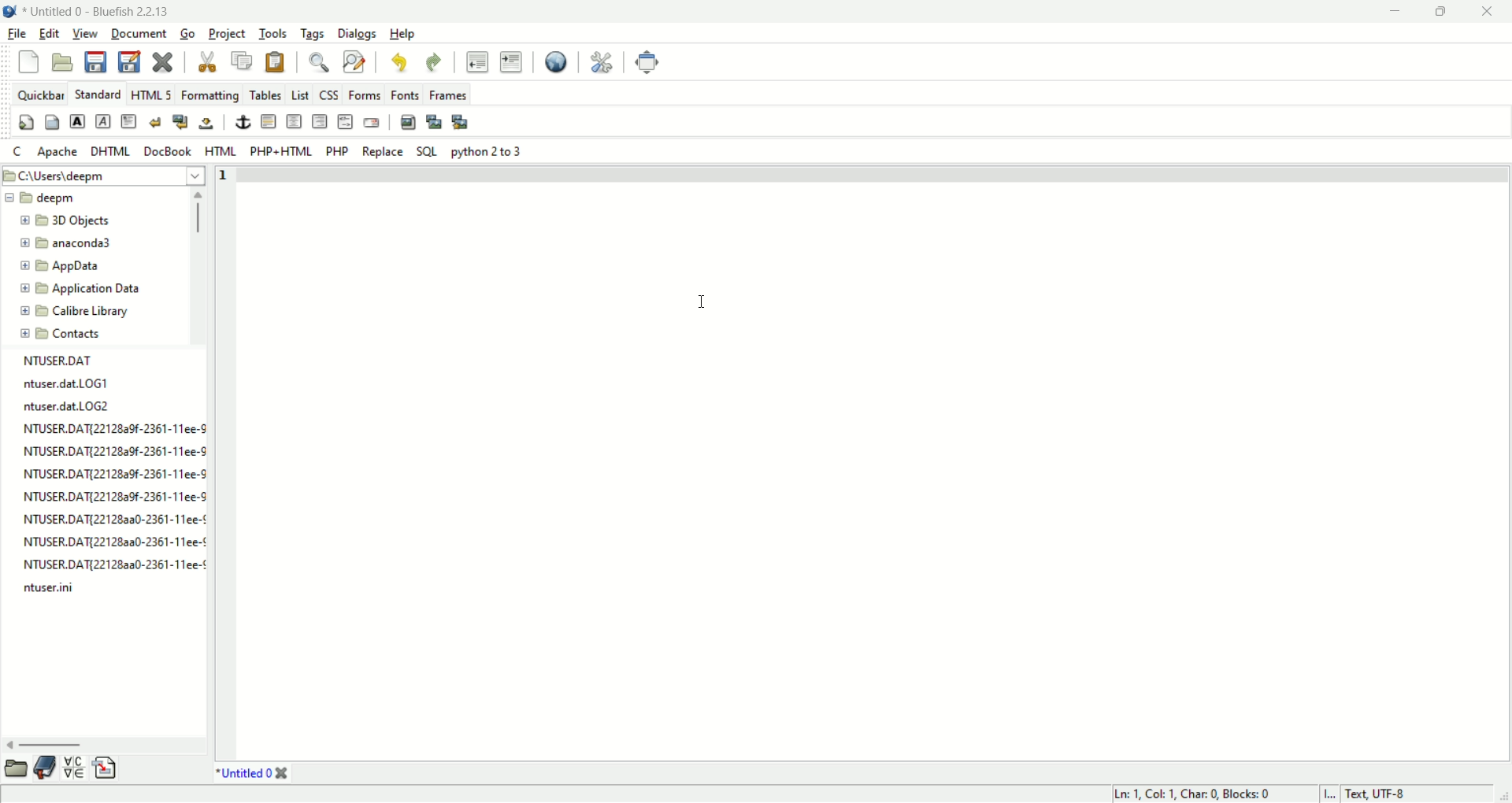 Image resolution: width=1512 pixels, height=803 pixels. What do you see at coordinates (112, 151) in the screenshot?
I see `DHTML` at bounding box center [112, 151].